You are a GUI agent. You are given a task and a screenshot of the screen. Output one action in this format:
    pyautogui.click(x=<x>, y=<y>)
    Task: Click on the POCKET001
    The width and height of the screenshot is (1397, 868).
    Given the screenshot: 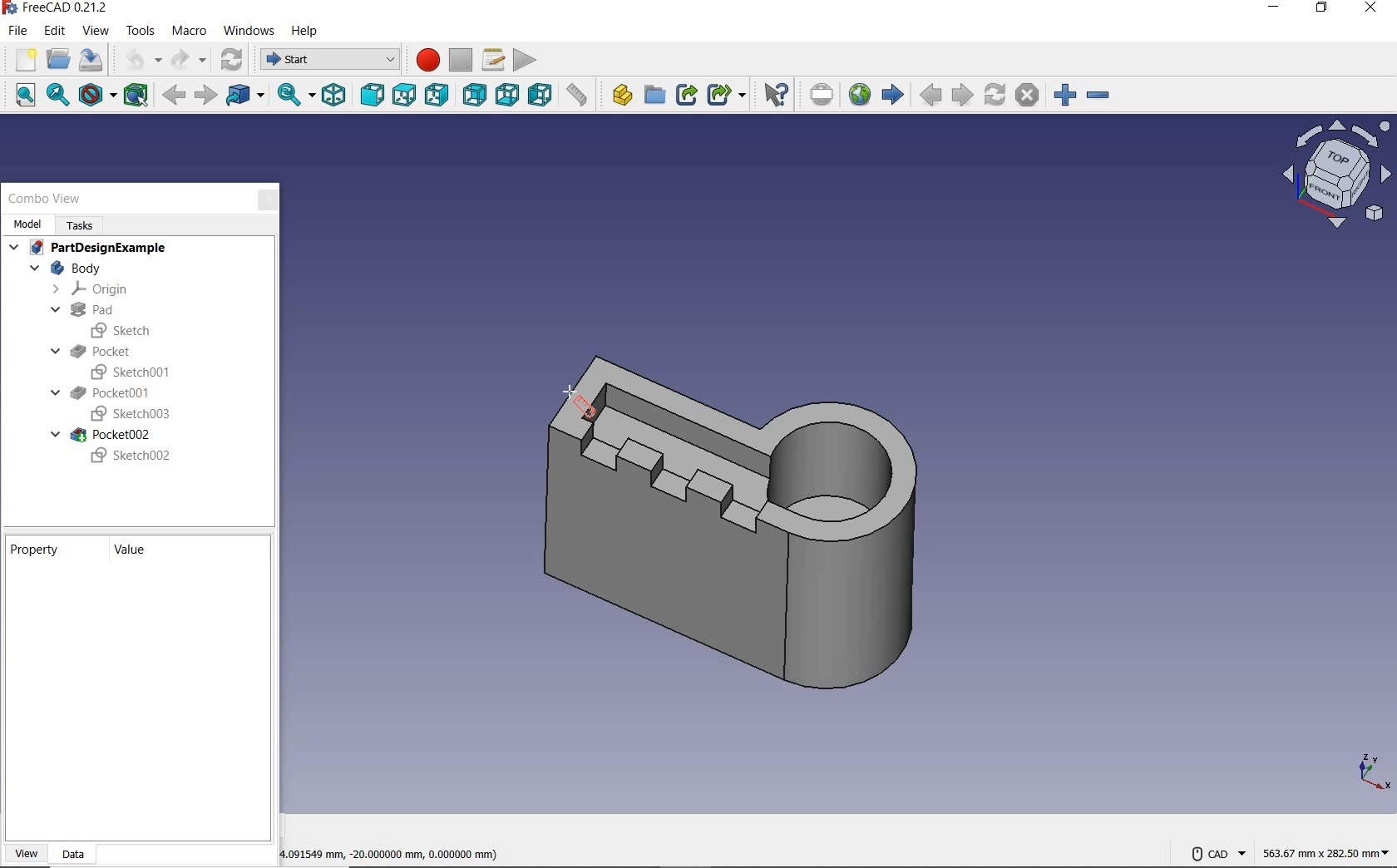 What is the action you would take?
    pyautogui.click(x=102, y=393)
    